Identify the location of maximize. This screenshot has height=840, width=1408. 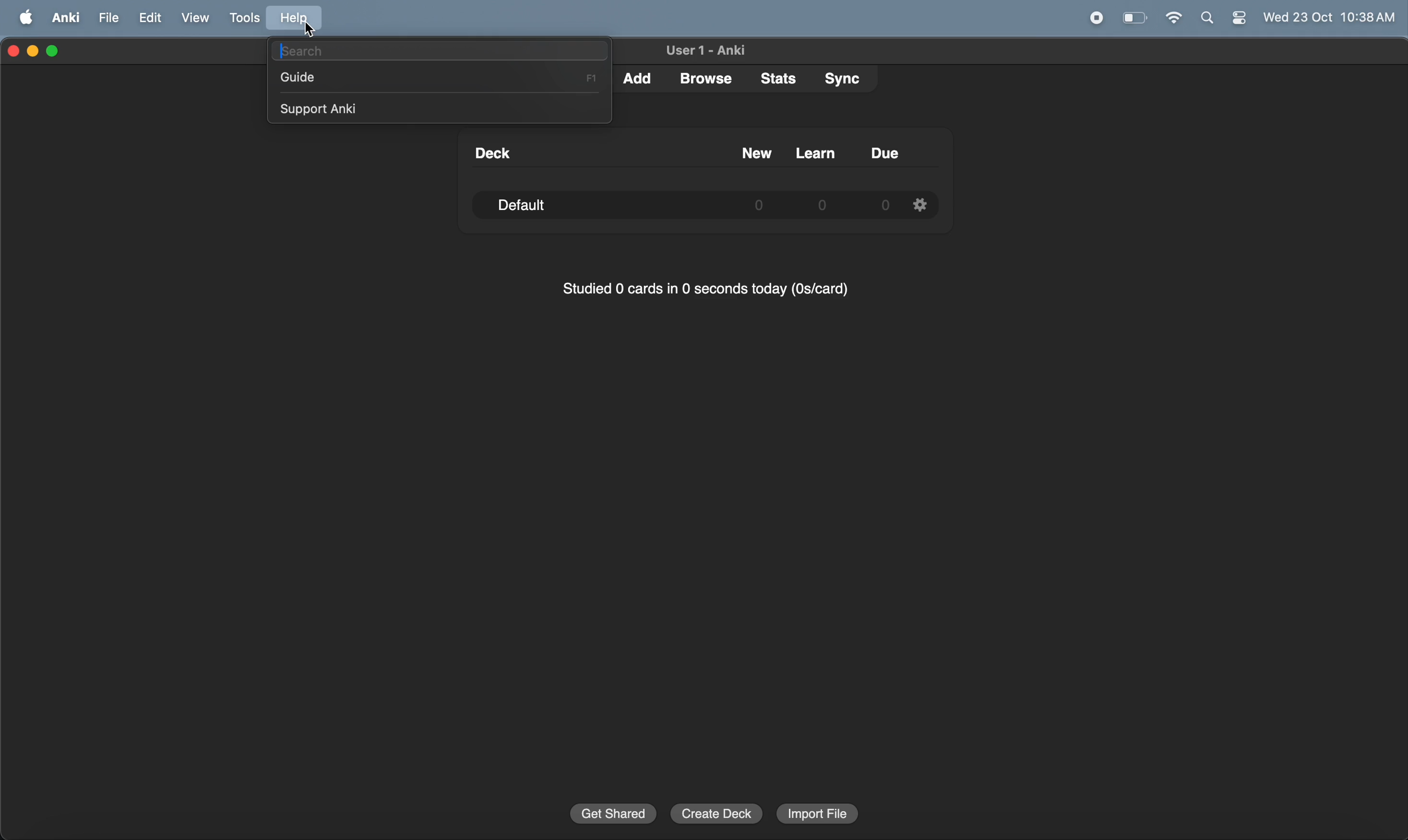
(54, 51).